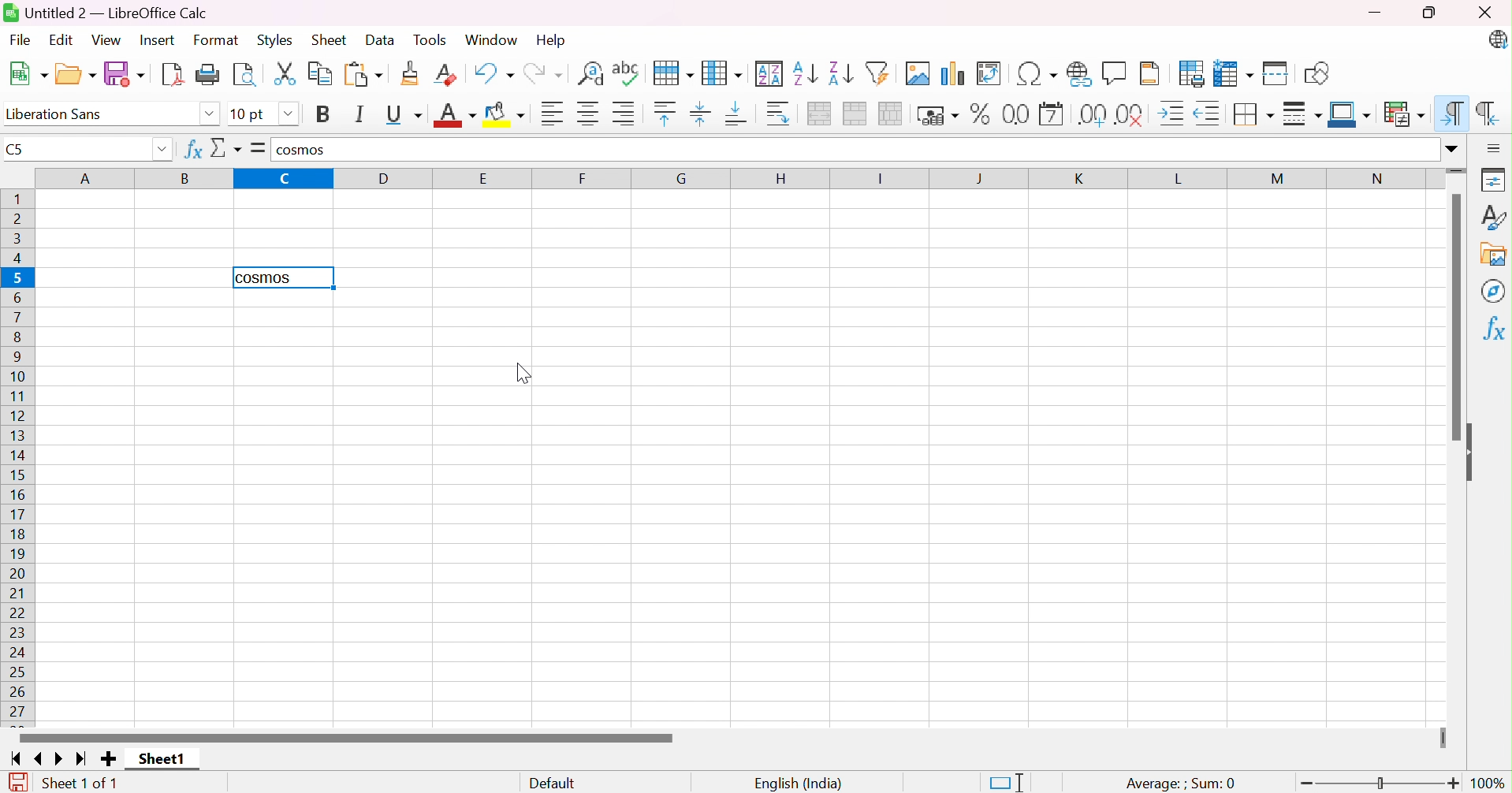 The image size is (1512, 793). I want to click on Help, so click(549, 41).